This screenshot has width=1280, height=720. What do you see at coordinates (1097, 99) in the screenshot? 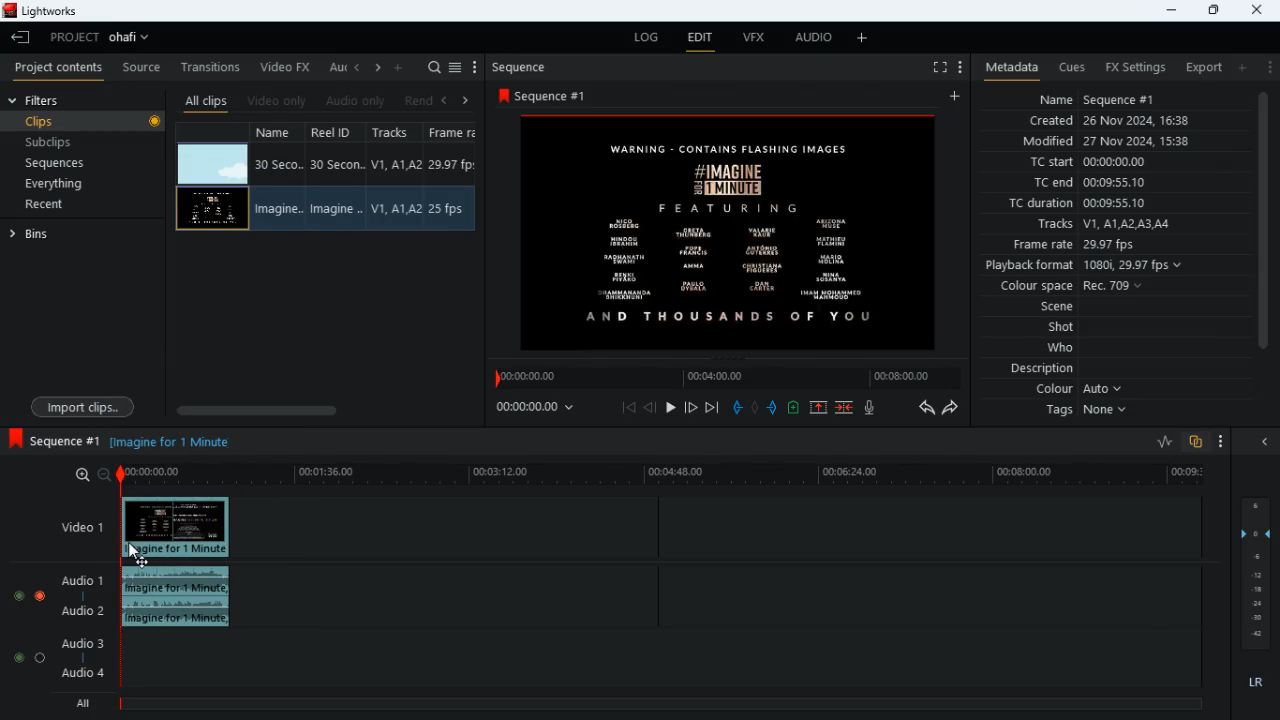
I see `name` at bounding box center [1097, 99].